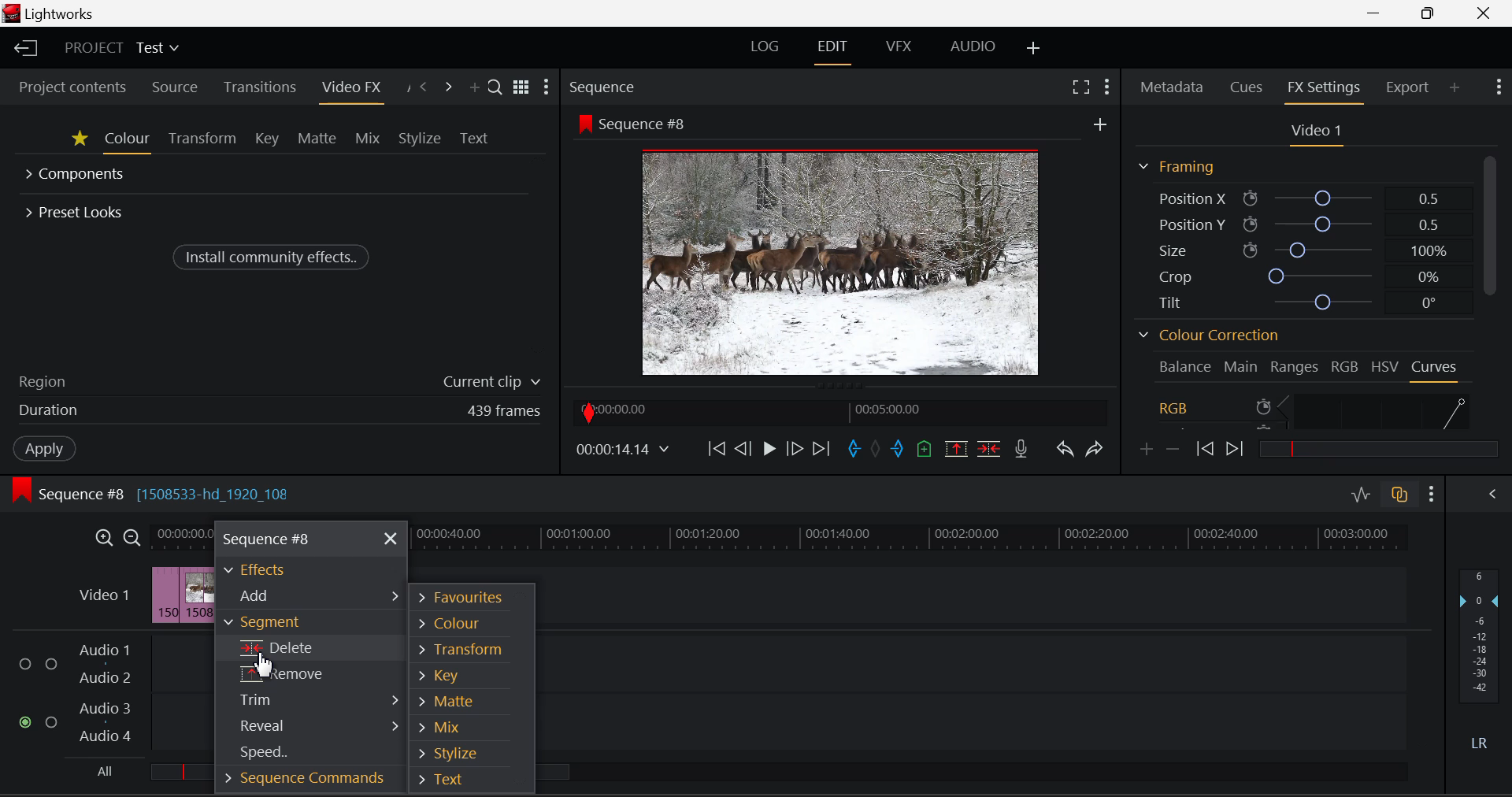 The height and width of the screenshot is (797, 1512). What do you see at coordinates (1300, 223) in the screenshot?
I see `Position Y` at bounding box center [1300, 223].